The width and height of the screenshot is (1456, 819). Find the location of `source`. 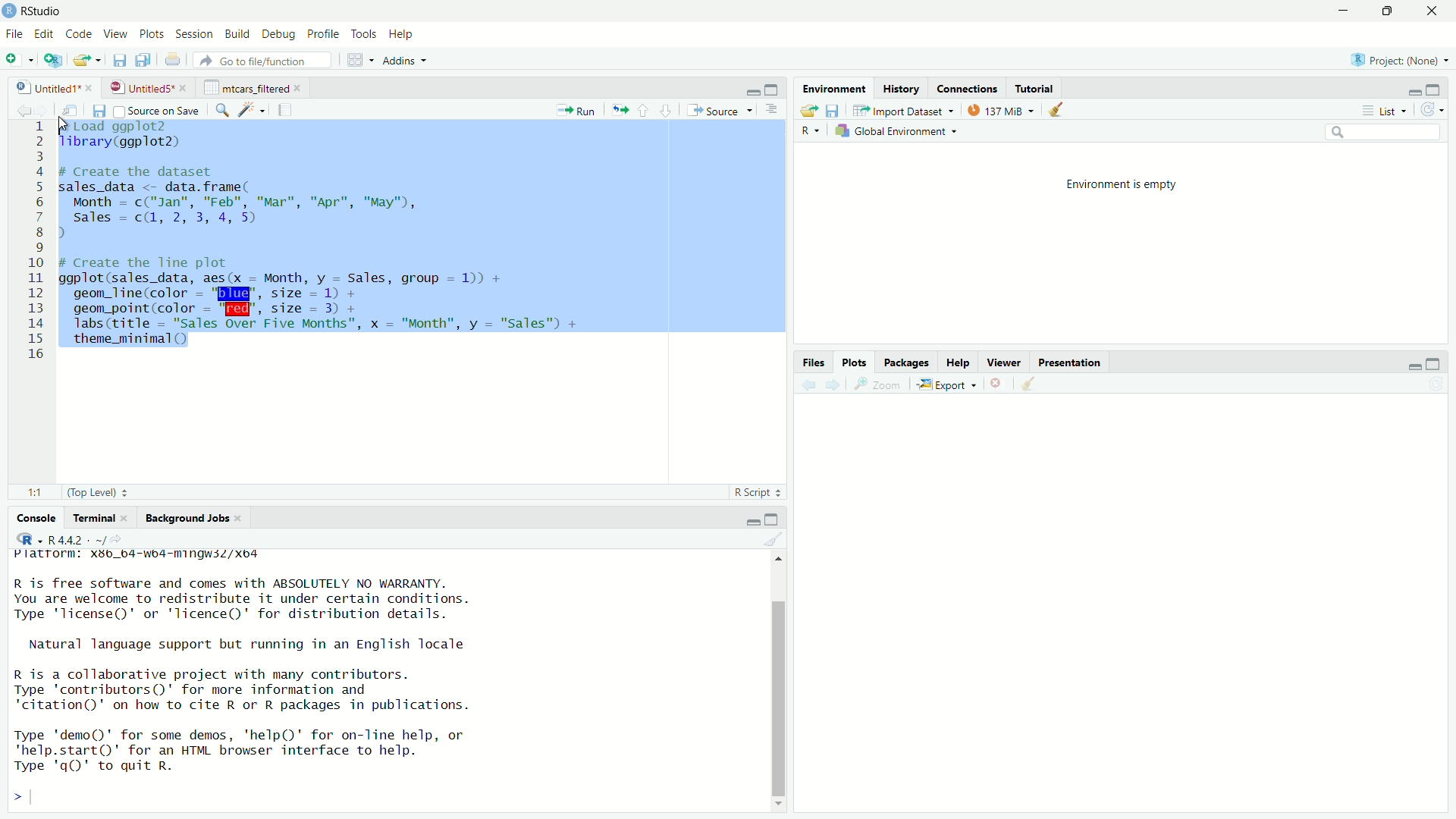

source is located at coordinates (718, 111).